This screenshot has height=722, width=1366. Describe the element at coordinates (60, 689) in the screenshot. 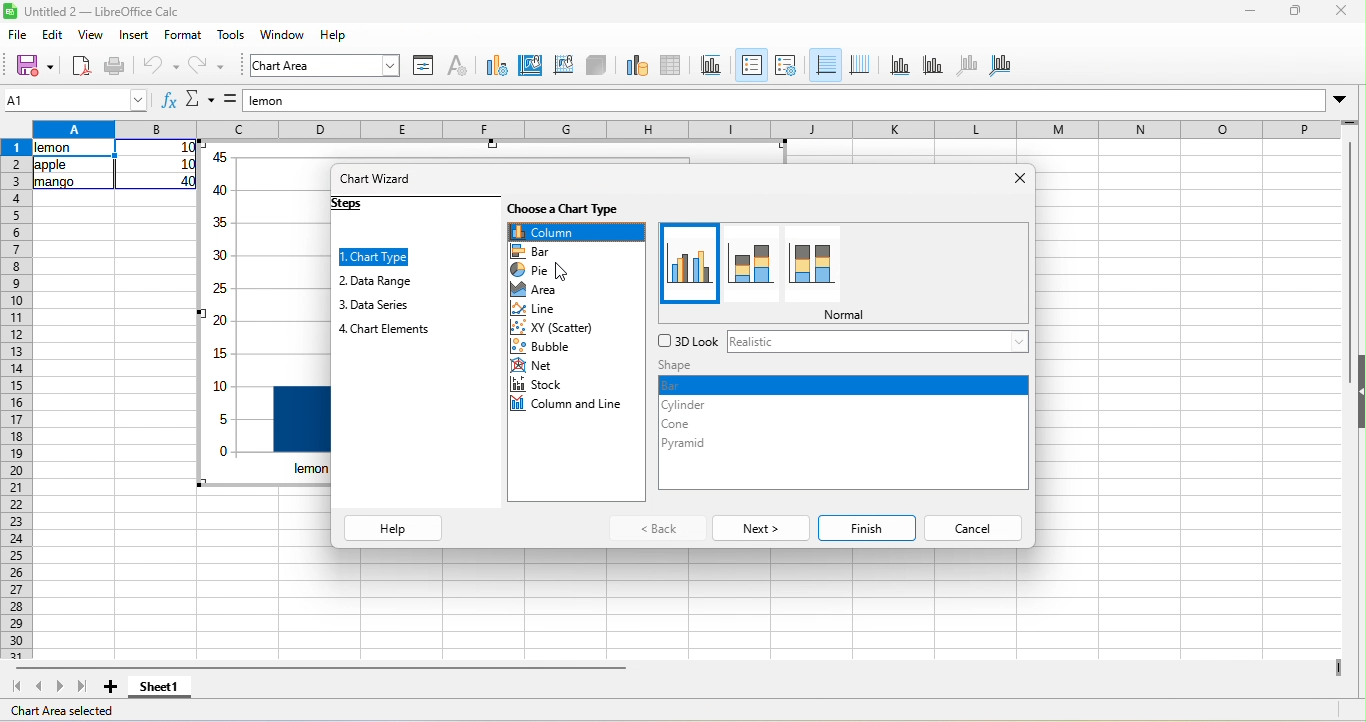

I see `scroll to next slheet` at that location.